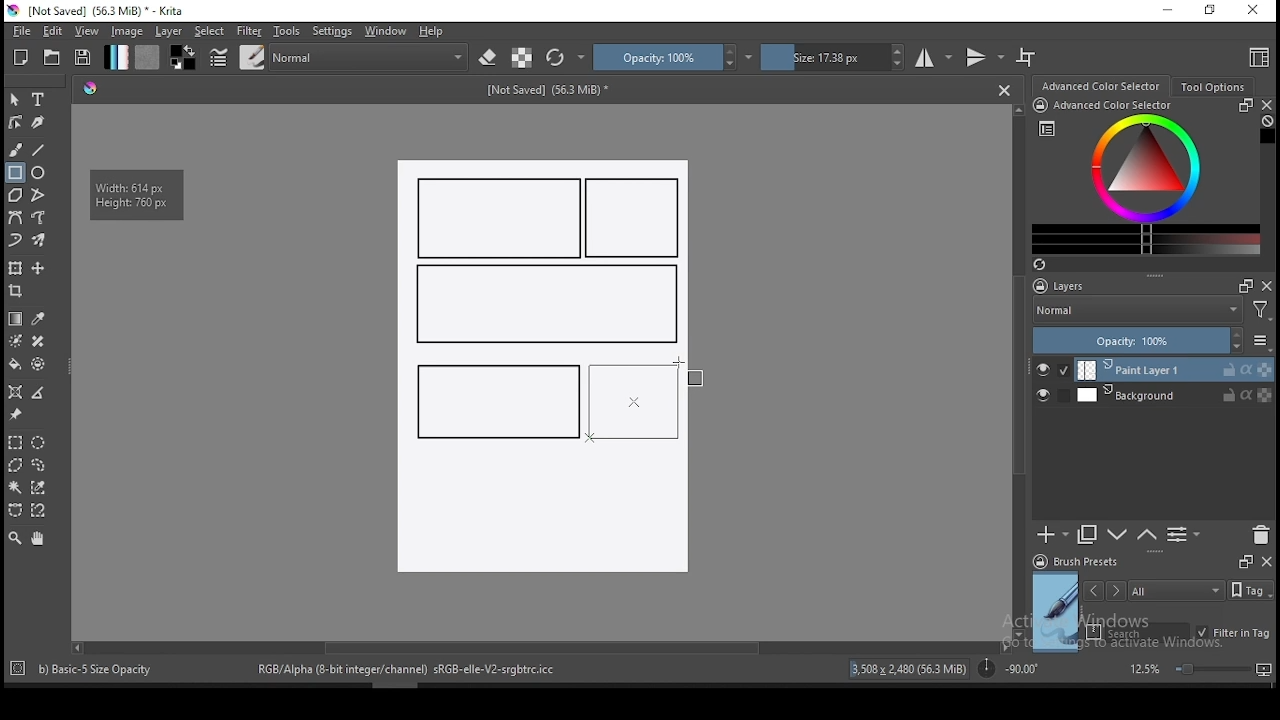  I want to click on restore, so click(1214, 11).